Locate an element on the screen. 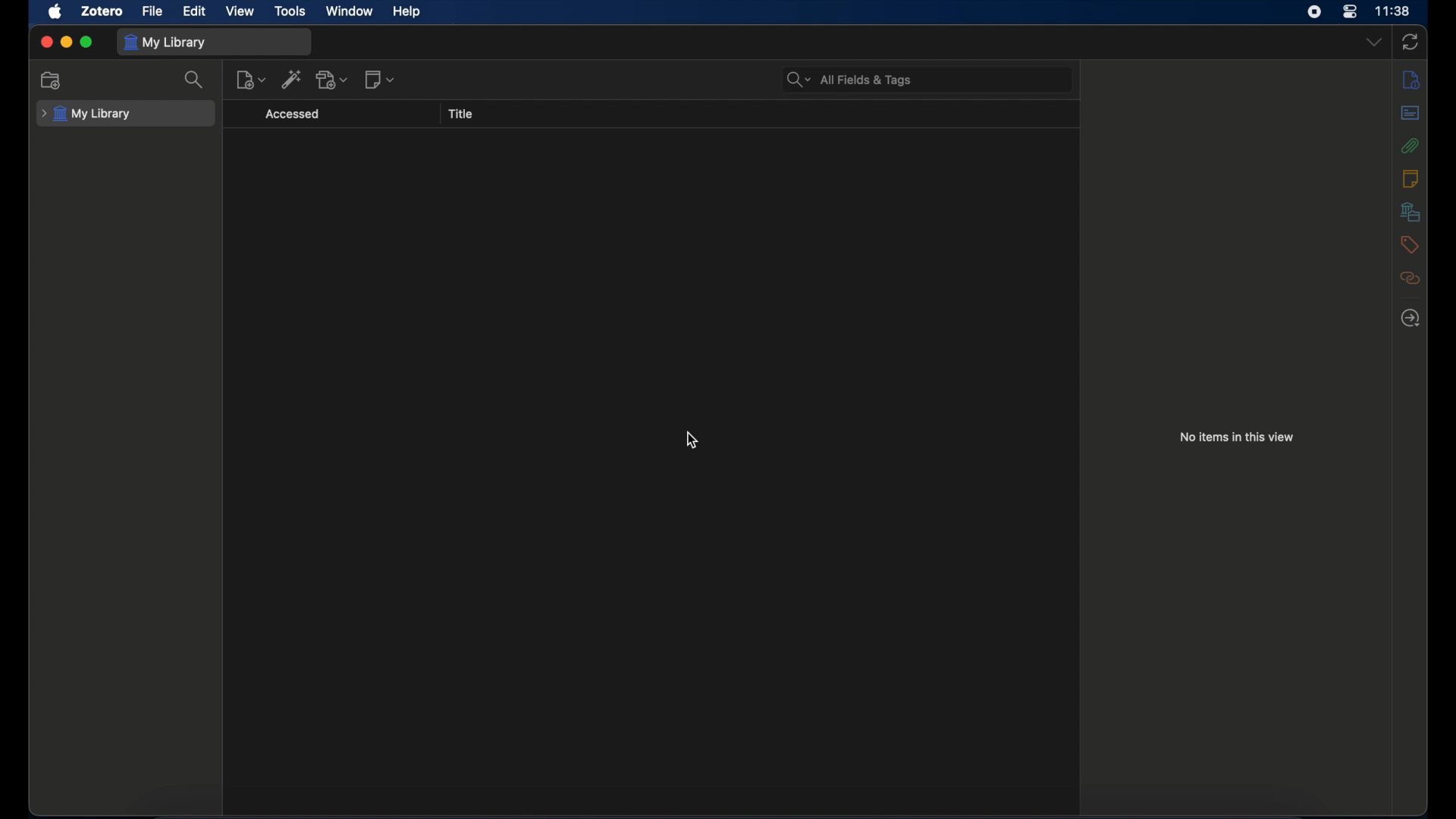 The width and height of the screenshot is (1456, 819). tools is located at coordinates (290, 11).